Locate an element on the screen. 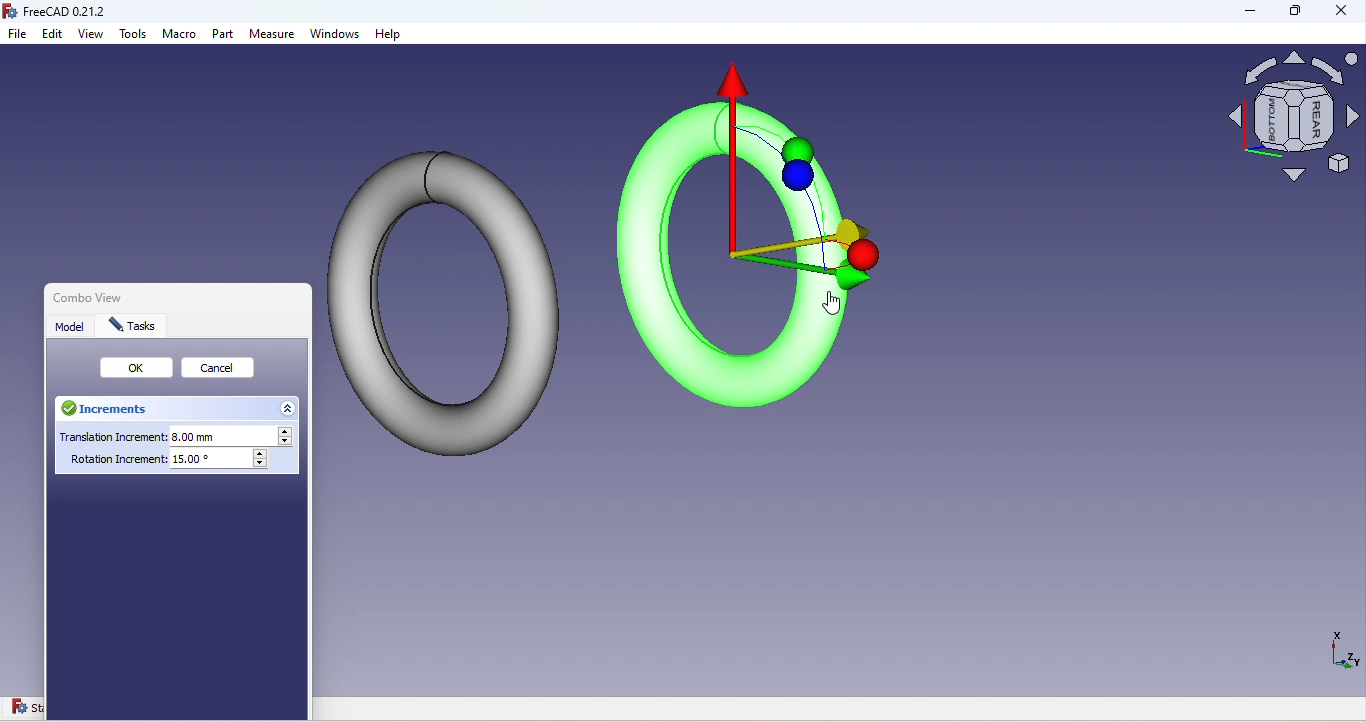 The width and height of the screenshot is (1366, 722). Translation increment is located at coordinates (163, 436).